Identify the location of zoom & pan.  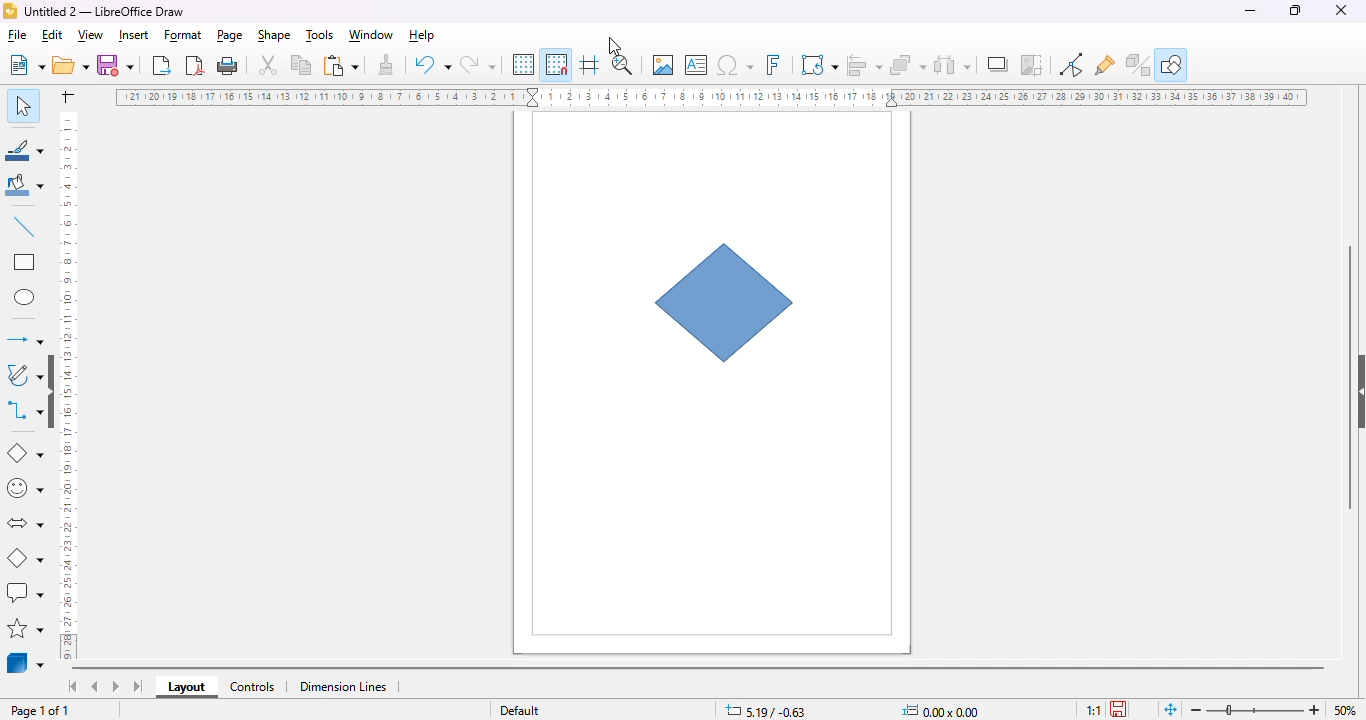
(623, 65).